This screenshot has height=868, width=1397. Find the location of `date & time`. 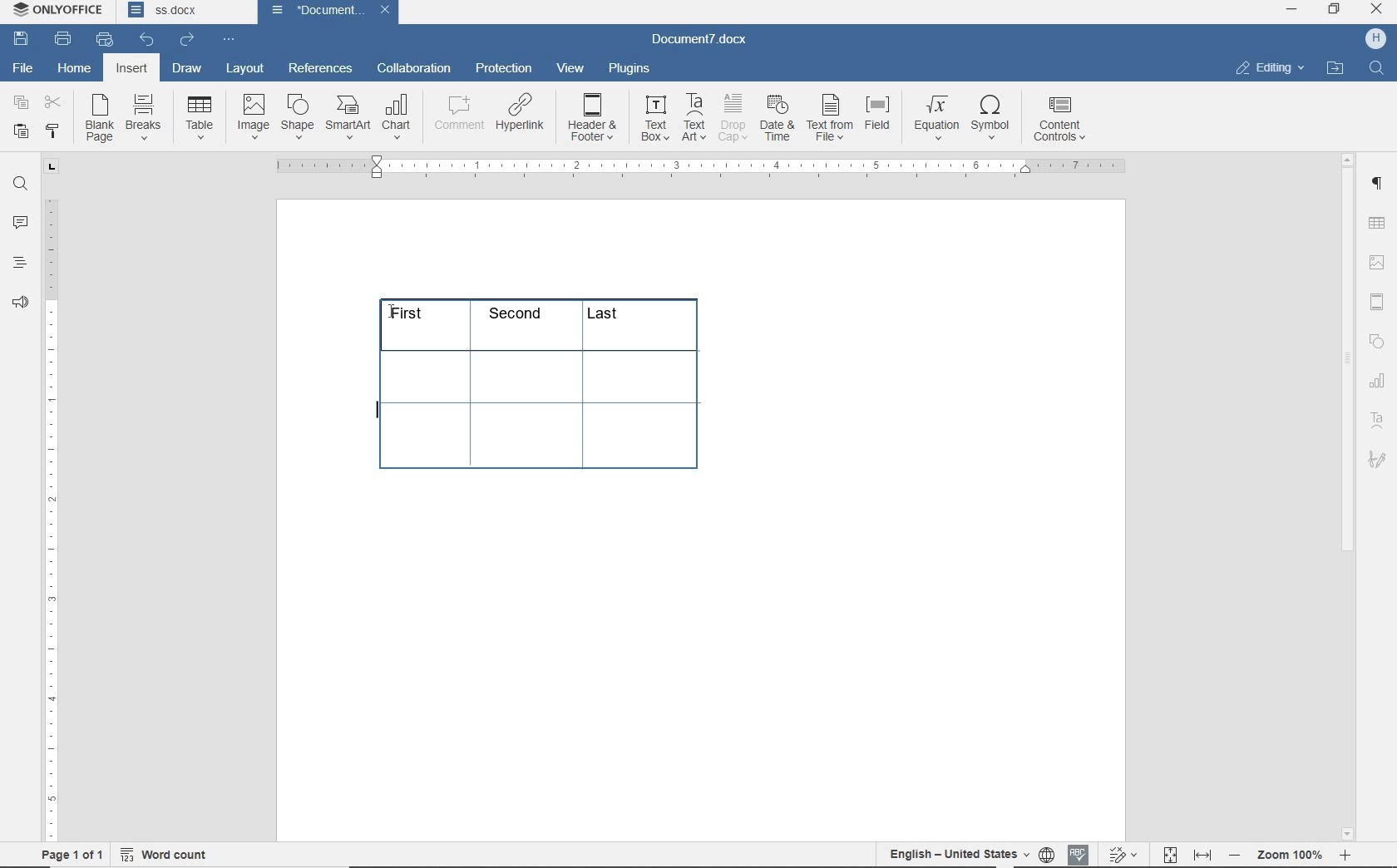

date & time is located at coordinates (777, 120).